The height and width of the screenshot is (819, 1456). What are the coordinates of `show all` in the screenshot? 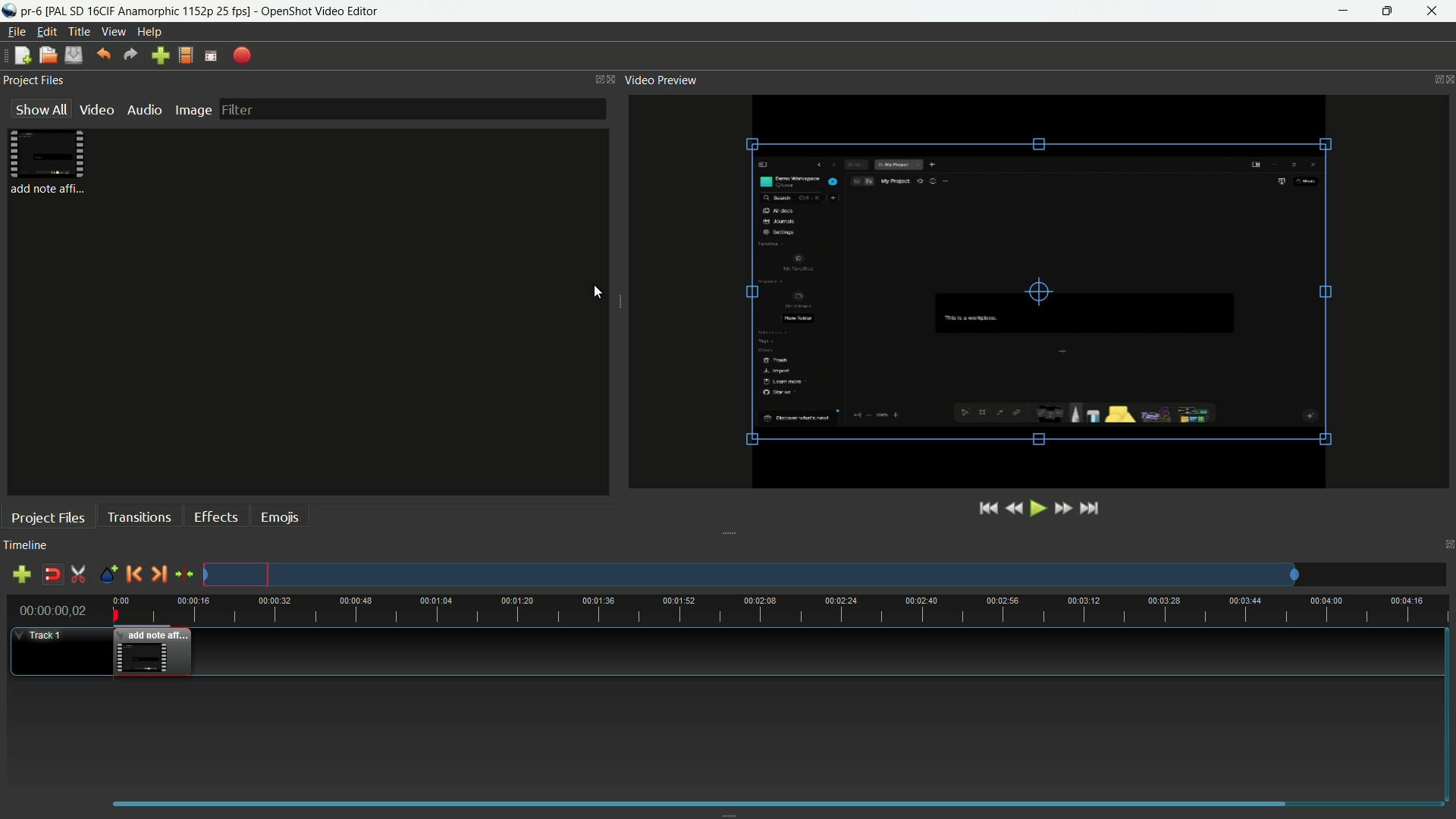 It's located at (40, 108).